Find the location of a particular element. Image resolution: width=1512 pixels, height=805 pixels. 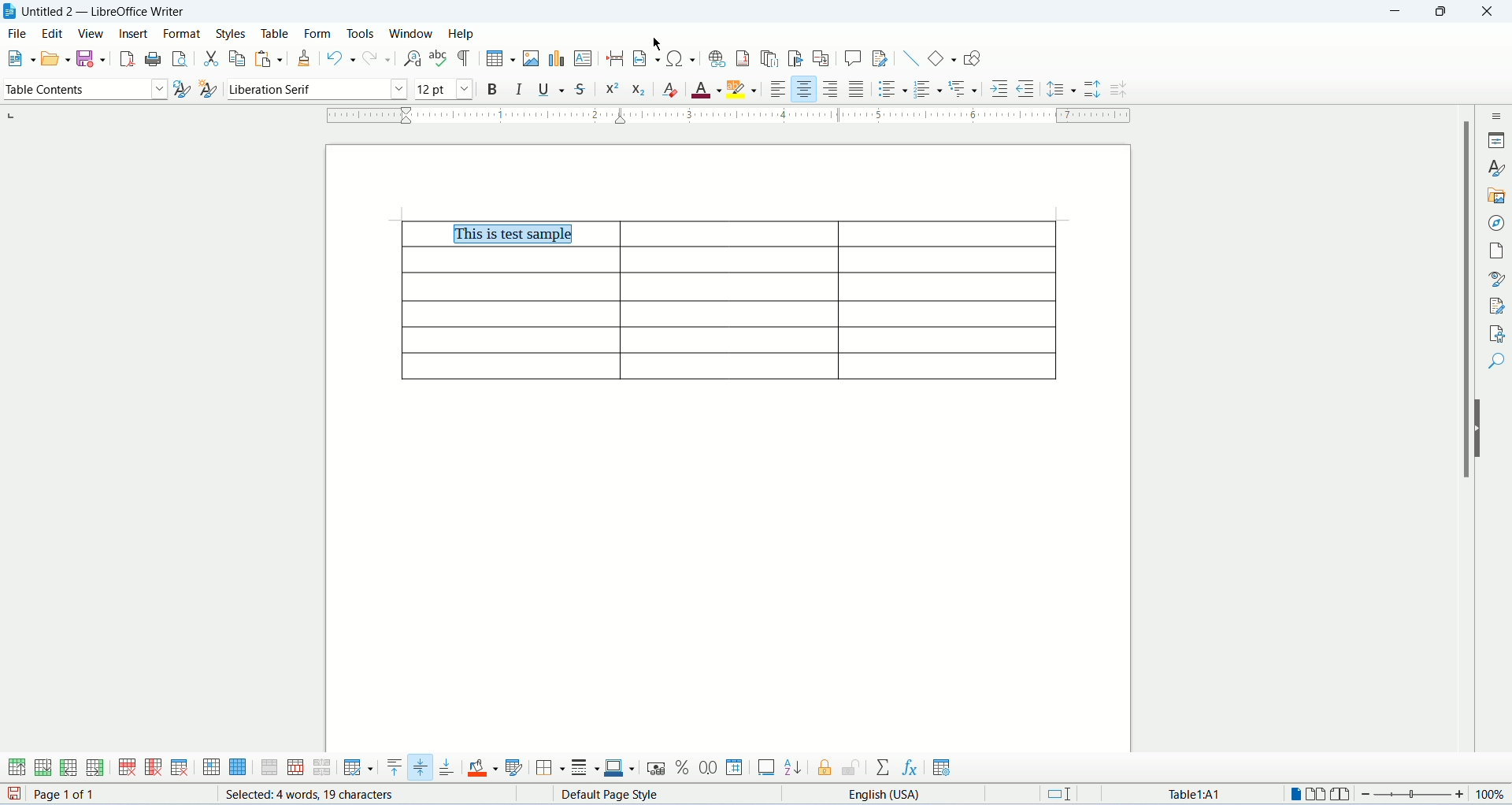

font name is located at coordinates (317, 91).